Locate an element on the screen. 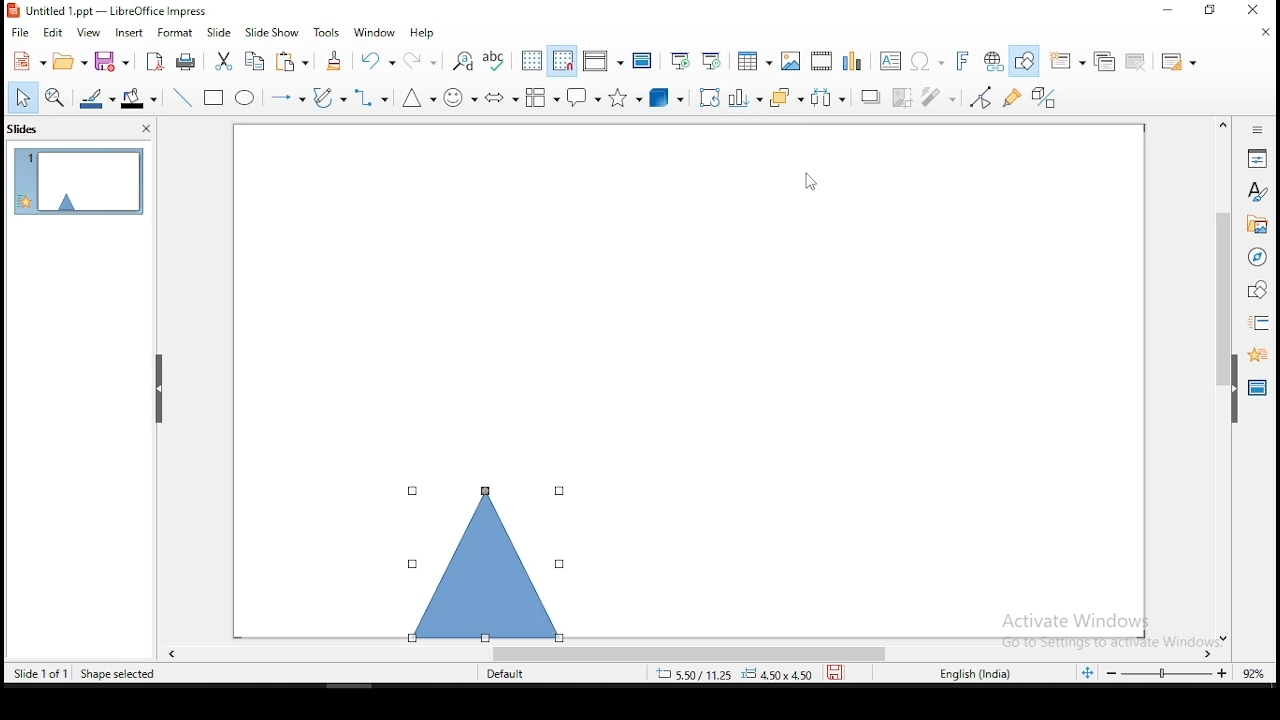 The width and height of the screenshot is (1280, 720). fit to slide is located at coordinates (1091, 676).